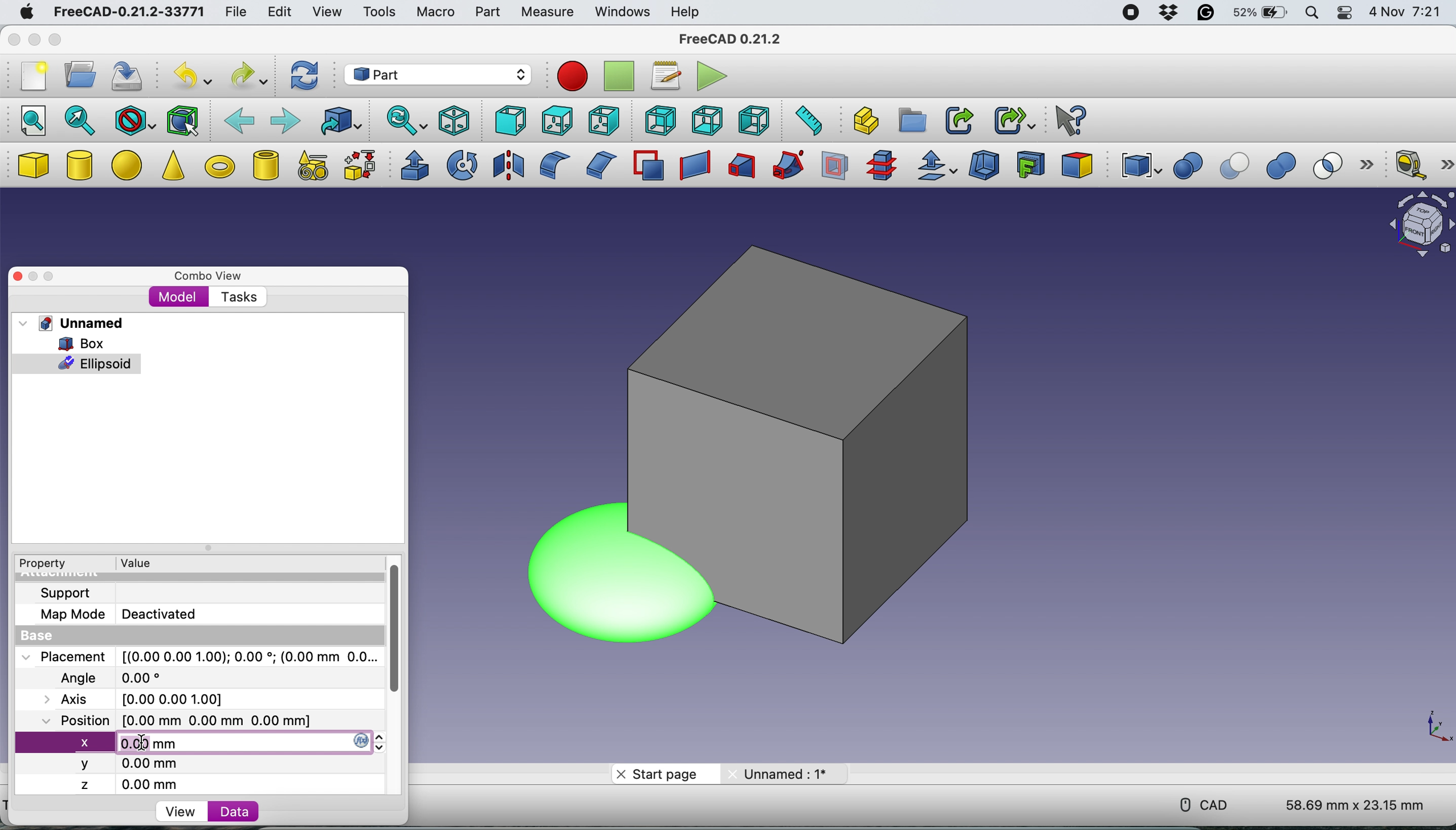  What do you see at coordinates (134, 121) in the screenshot?
I see `draw style` at bounding box center [134, 121].